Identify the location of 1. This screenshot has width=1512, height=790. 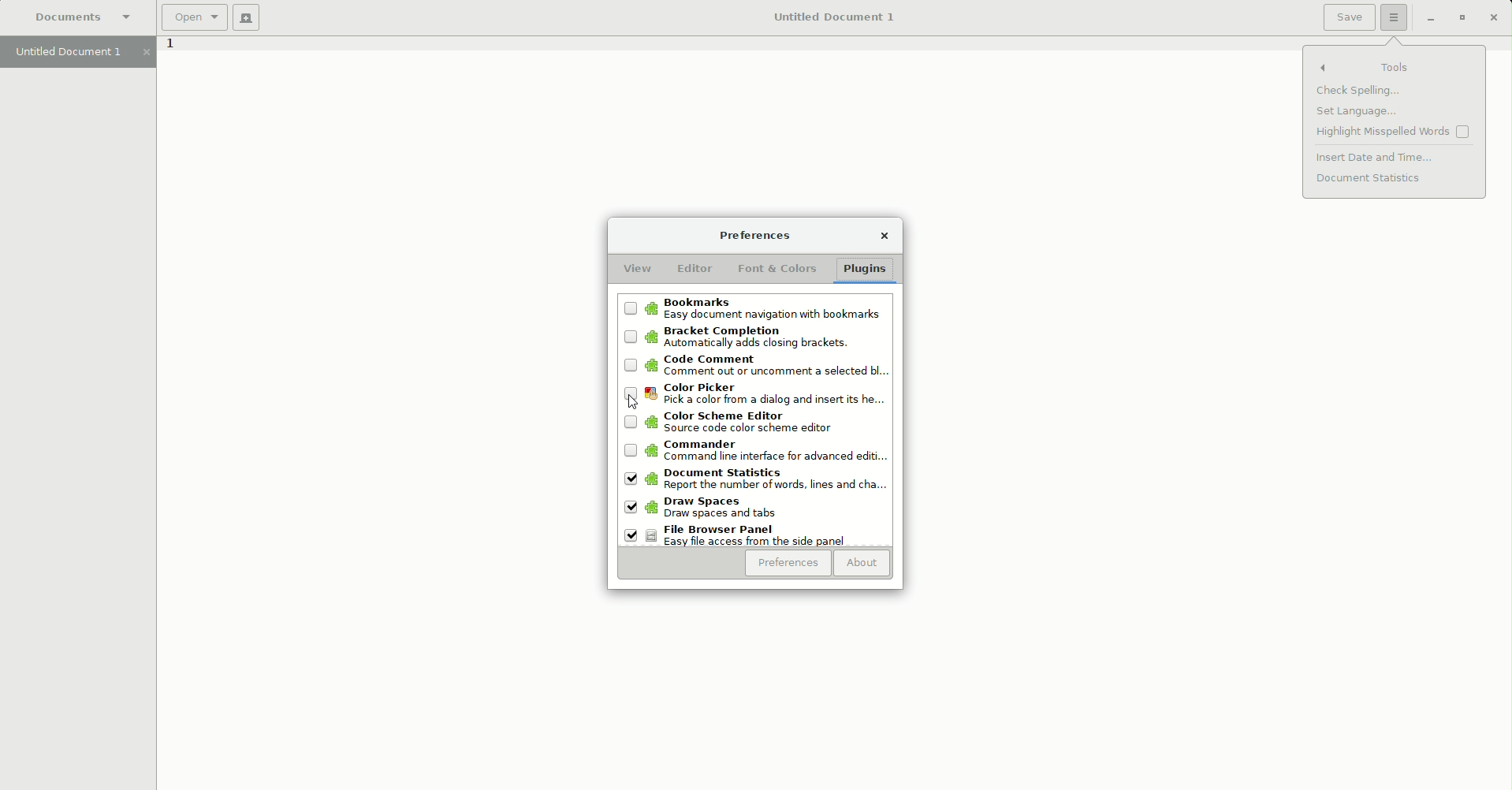
(169, 47).